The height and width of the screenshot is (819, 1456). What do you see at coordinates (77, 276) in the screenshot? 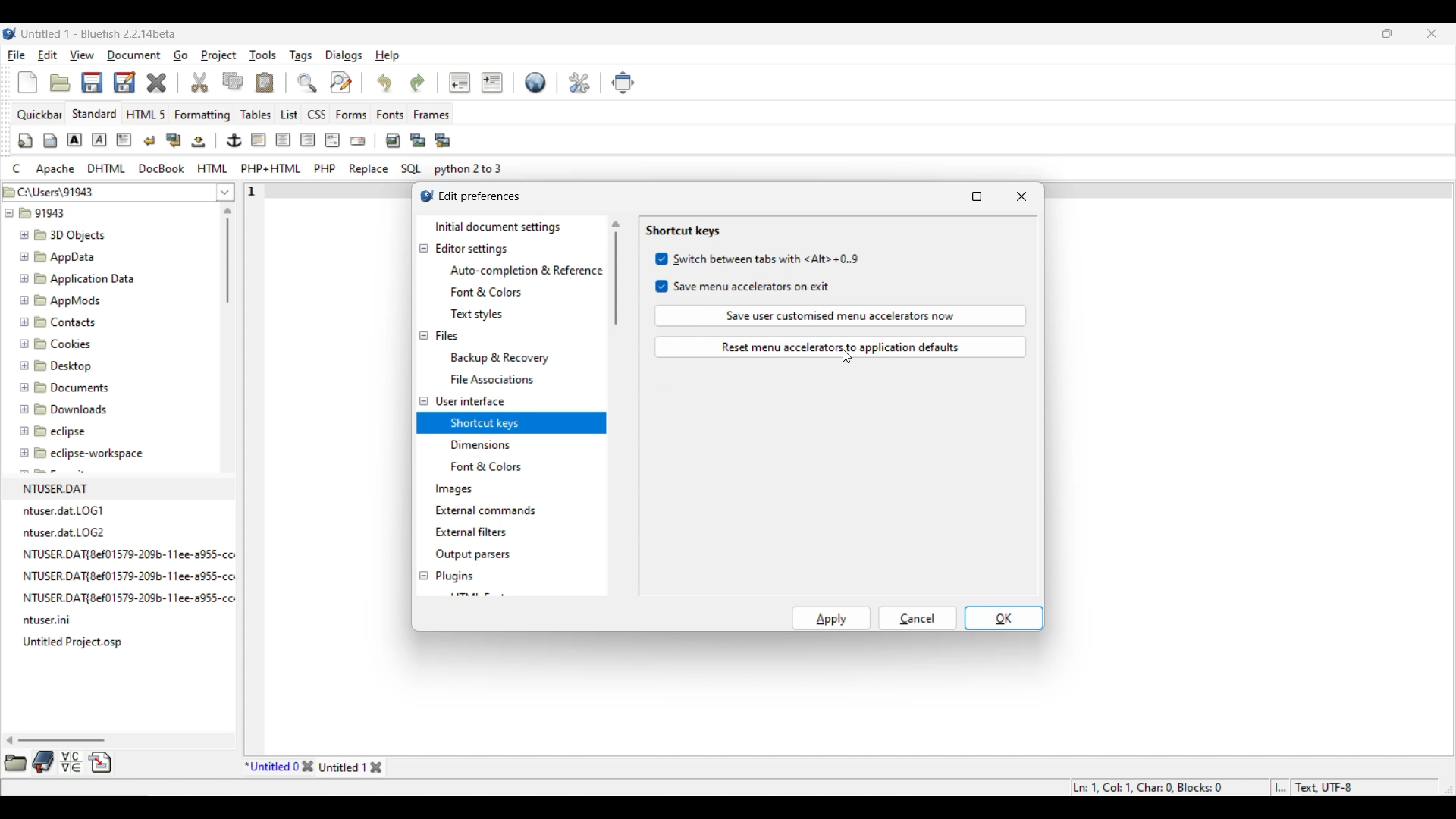
I see `Application Data` at bounding box center [77, 276].